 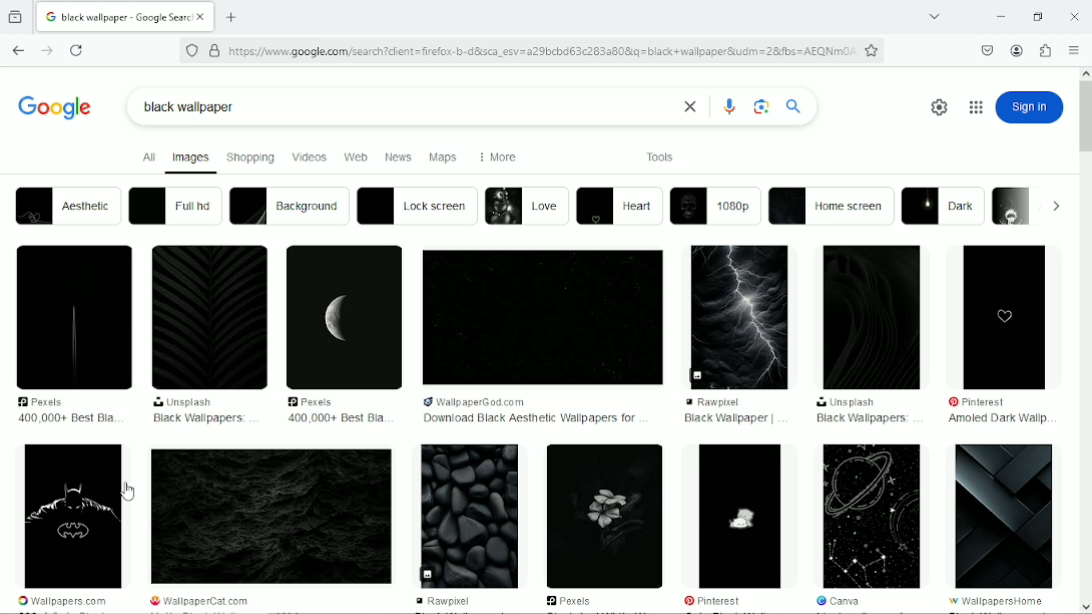 I want to click on black image, so click(x=75, y=318).